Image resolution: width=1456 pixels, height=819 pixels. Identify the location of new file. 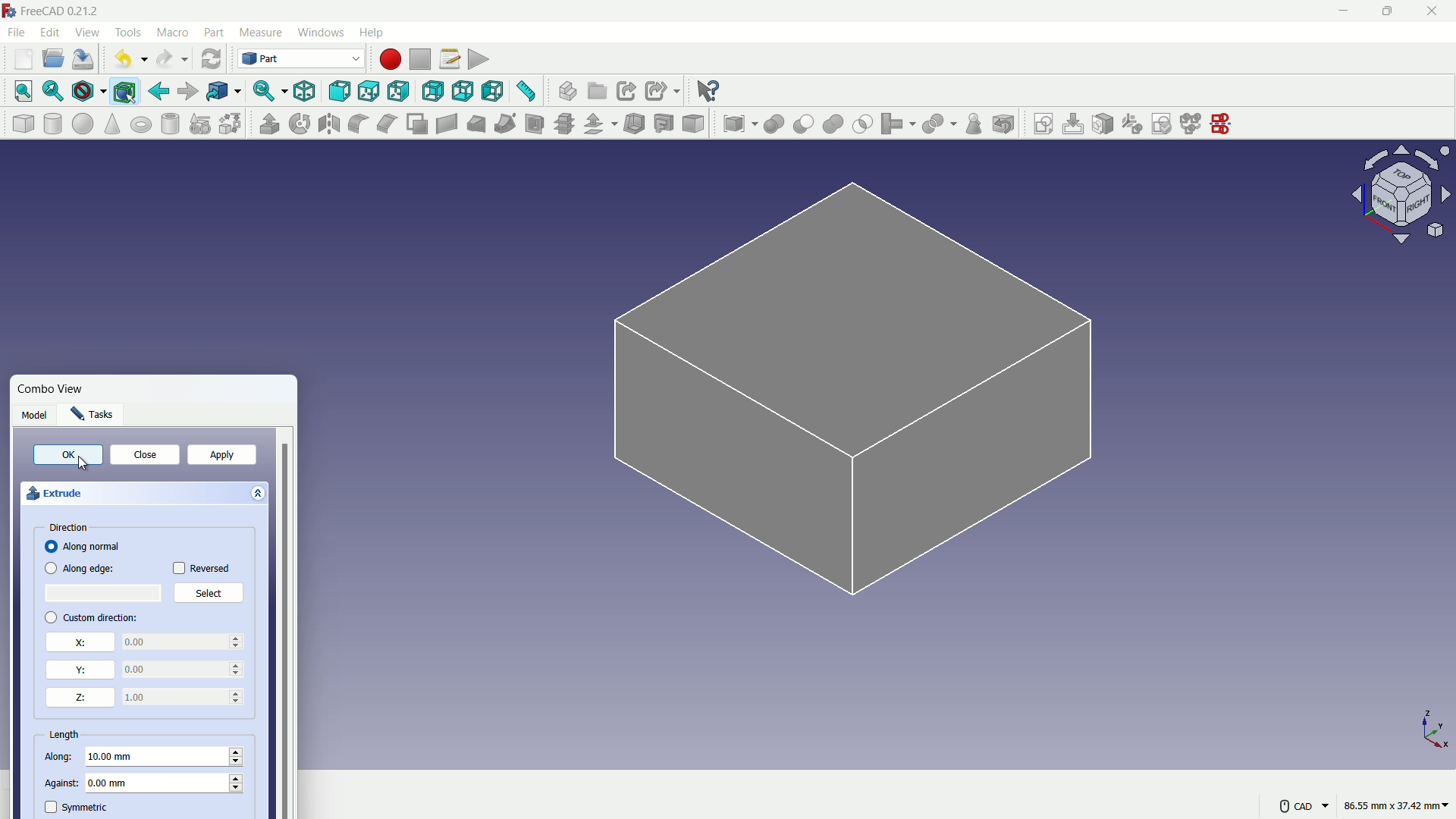
(23, 60).